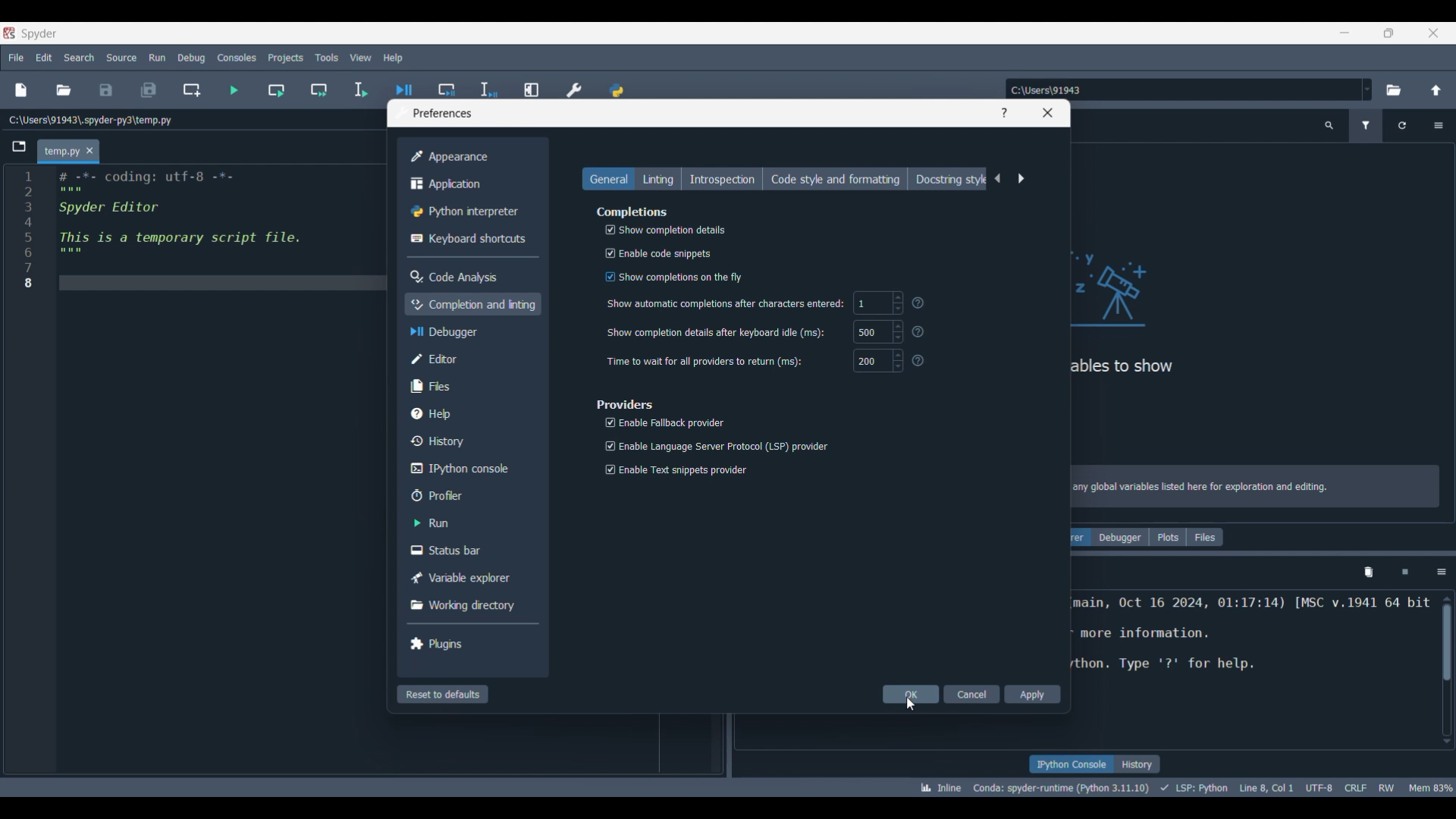  What do you see at coordinates (327, 58) in the screenshot?
I see `Tools menu` at bounding box center [327, 58].